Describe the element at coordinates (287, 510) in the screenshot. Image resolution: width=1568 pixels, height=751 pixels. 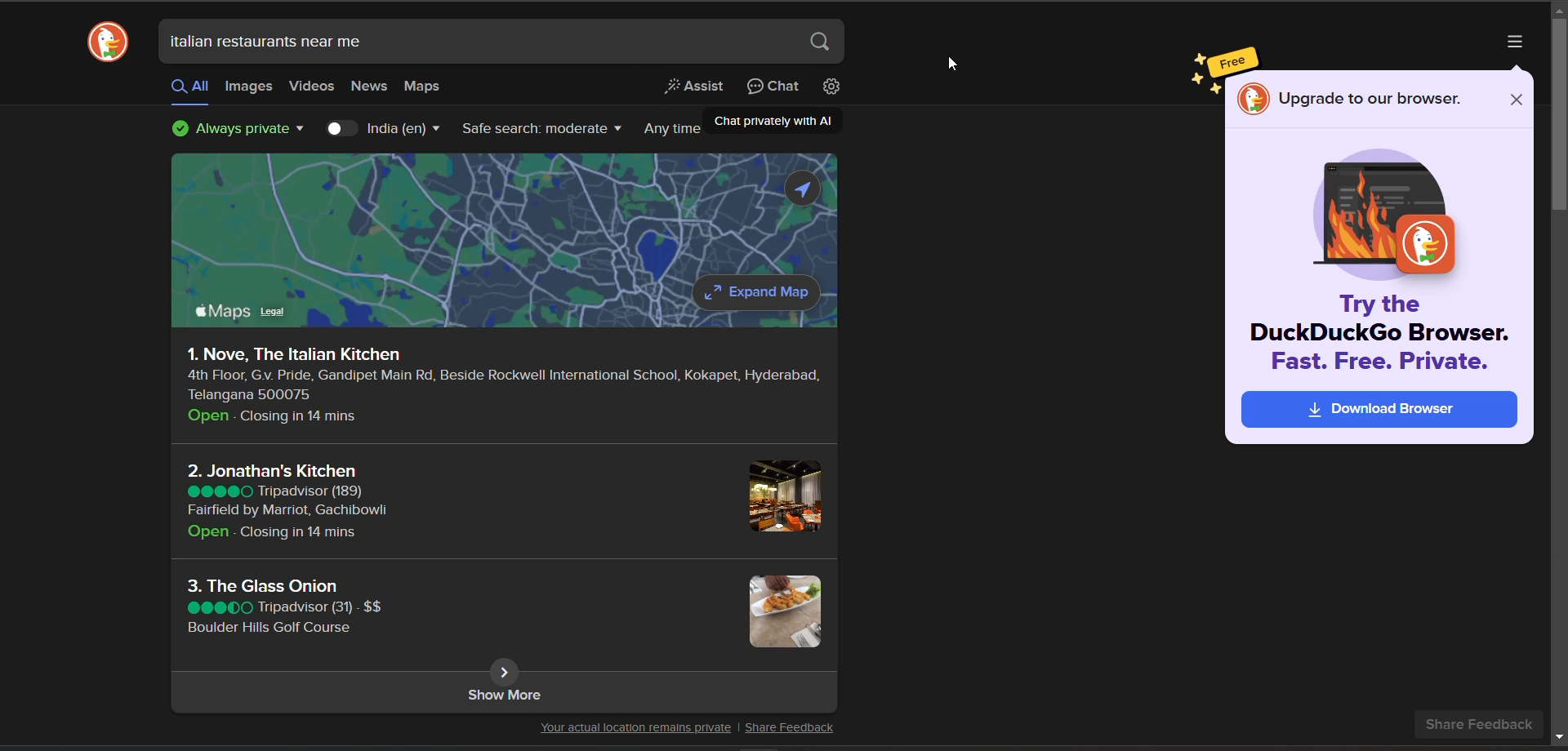
I see `Fairfield by Marriot, Gachibowli` at that location.